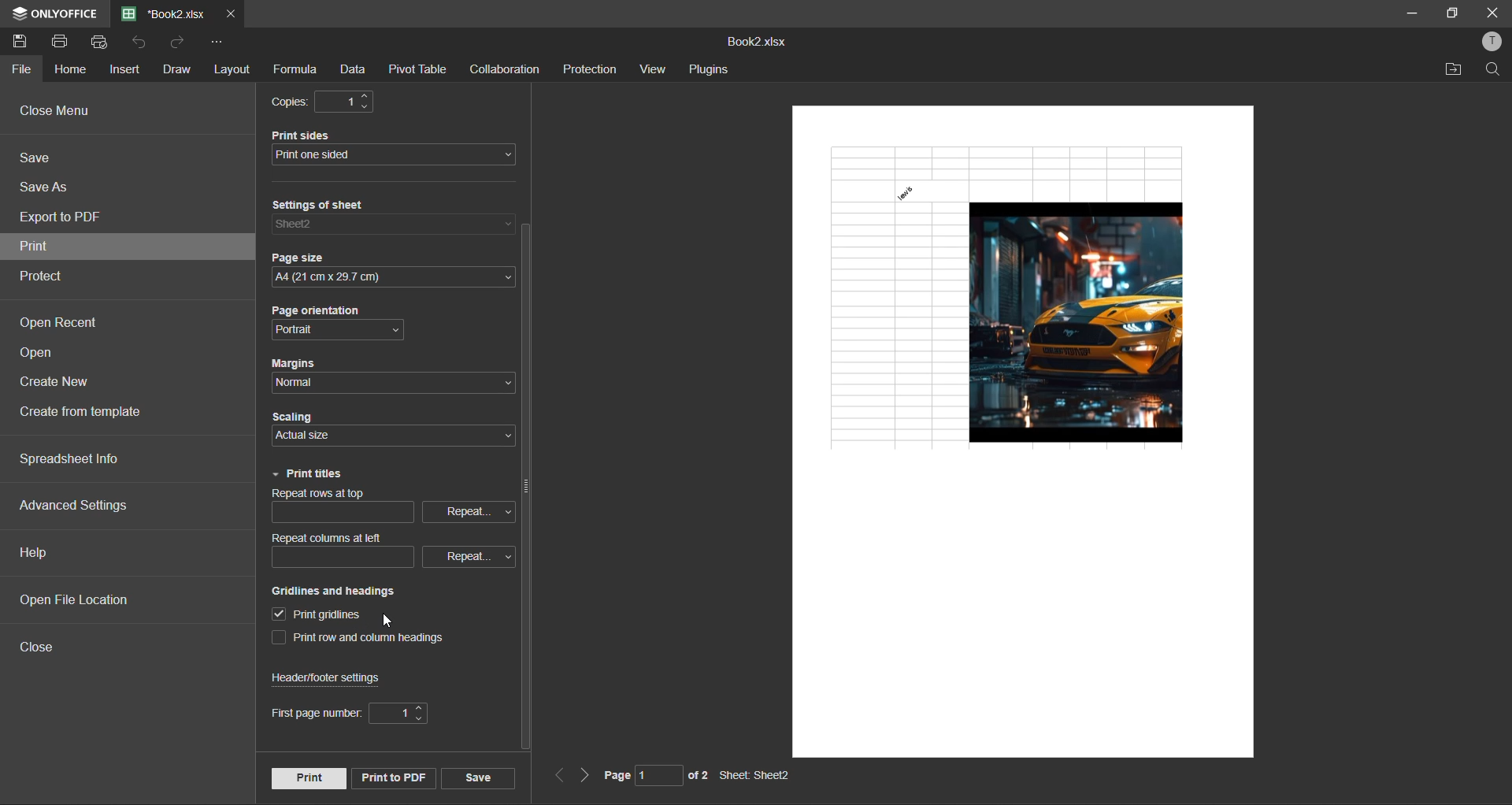 This screenshot has width=1512, height=805. What do you see at coordinates (91, 112) in the screenshot?
I see `close menu` at bounding box center [91, 112].